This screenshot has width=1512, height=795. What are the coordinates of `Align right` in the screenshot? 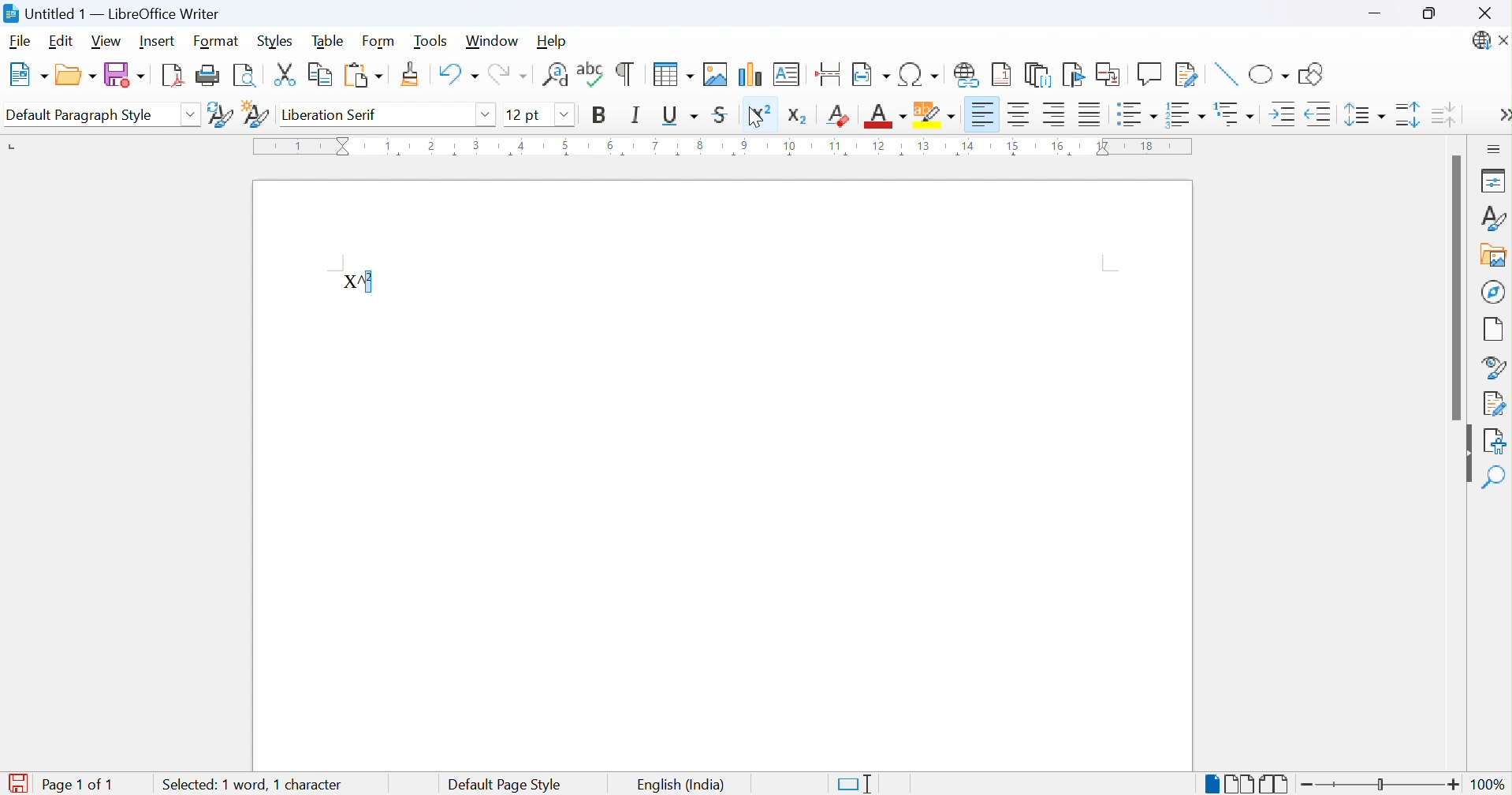 It's located at (1056, 117).